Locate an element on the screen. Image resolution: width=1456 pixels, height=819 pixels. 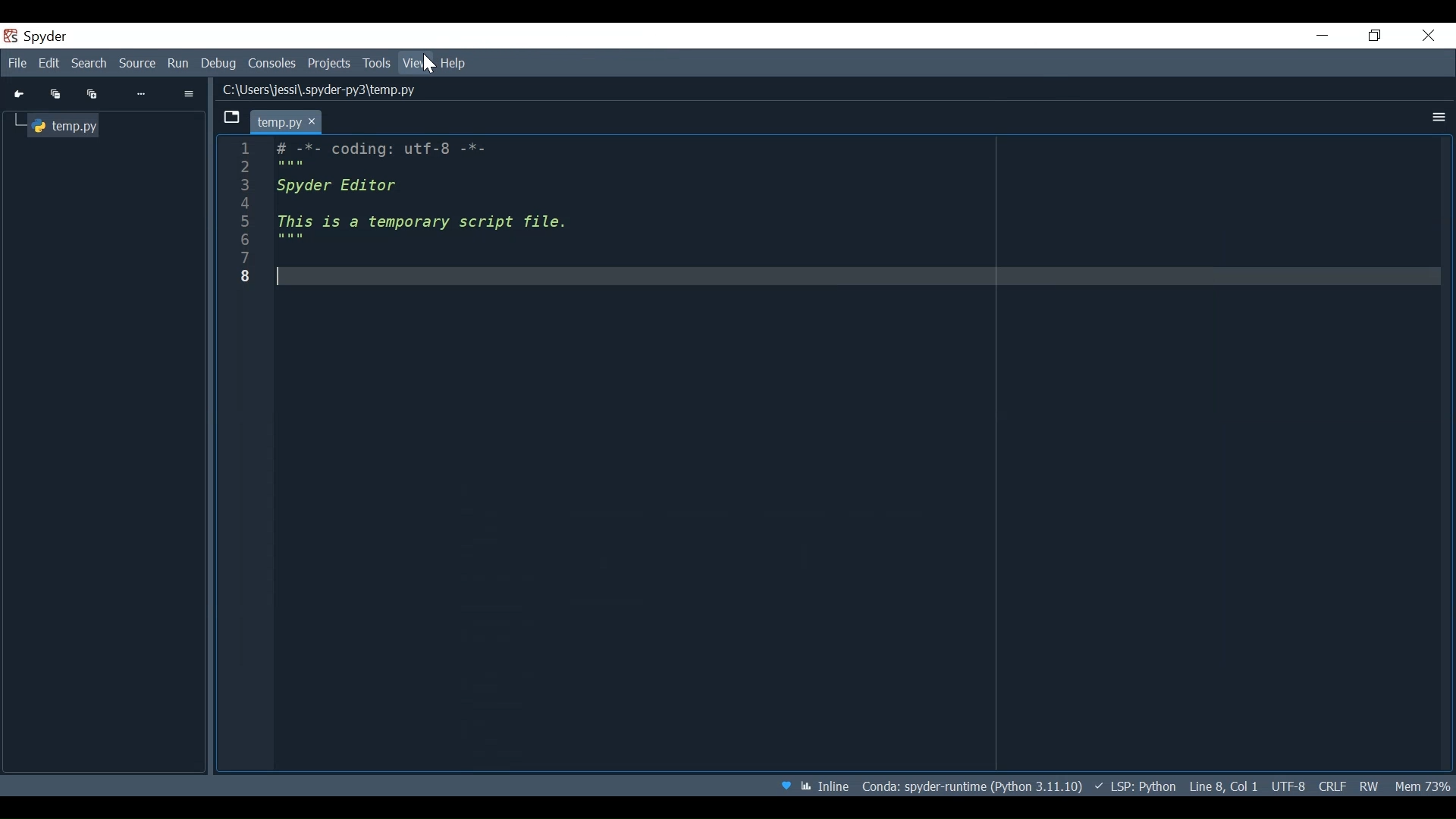
UTF-8 is located at coordinates (1289, 786).